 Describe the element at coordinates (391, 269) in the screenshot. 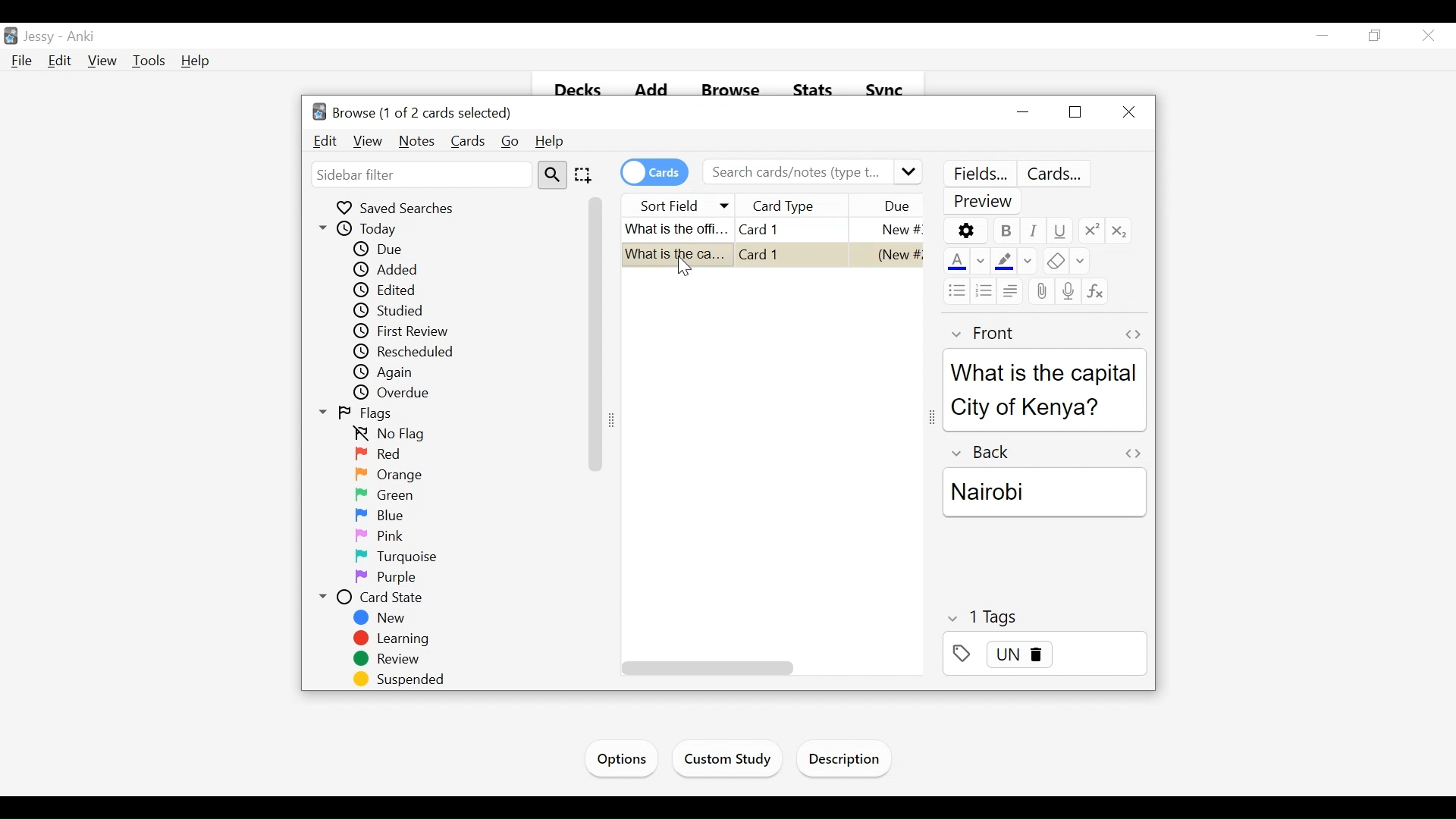

I see `Added` at that location.